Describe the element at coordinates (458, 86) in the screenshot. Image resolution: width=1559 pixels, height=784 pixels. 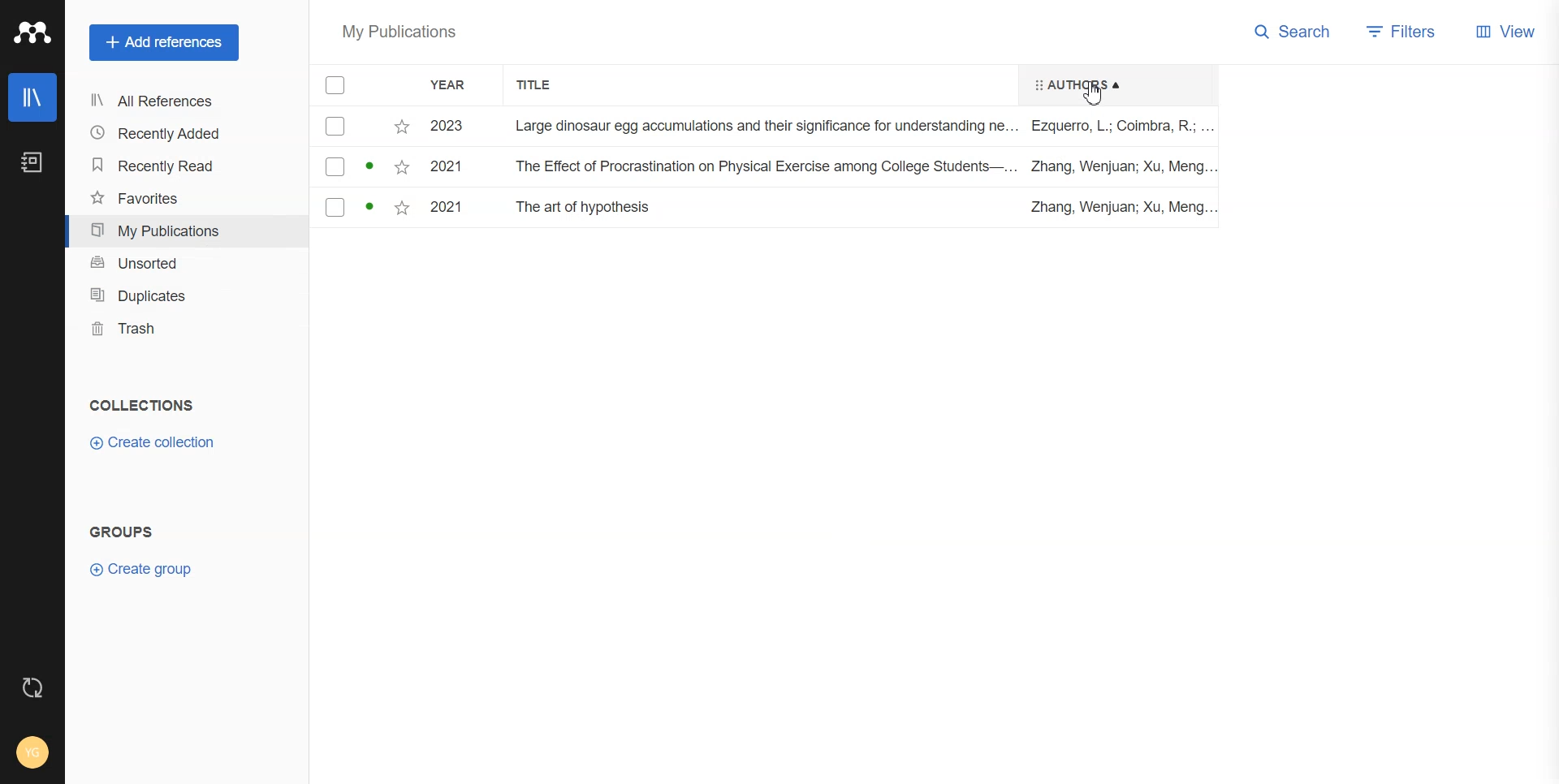
I see `Year` at that location.